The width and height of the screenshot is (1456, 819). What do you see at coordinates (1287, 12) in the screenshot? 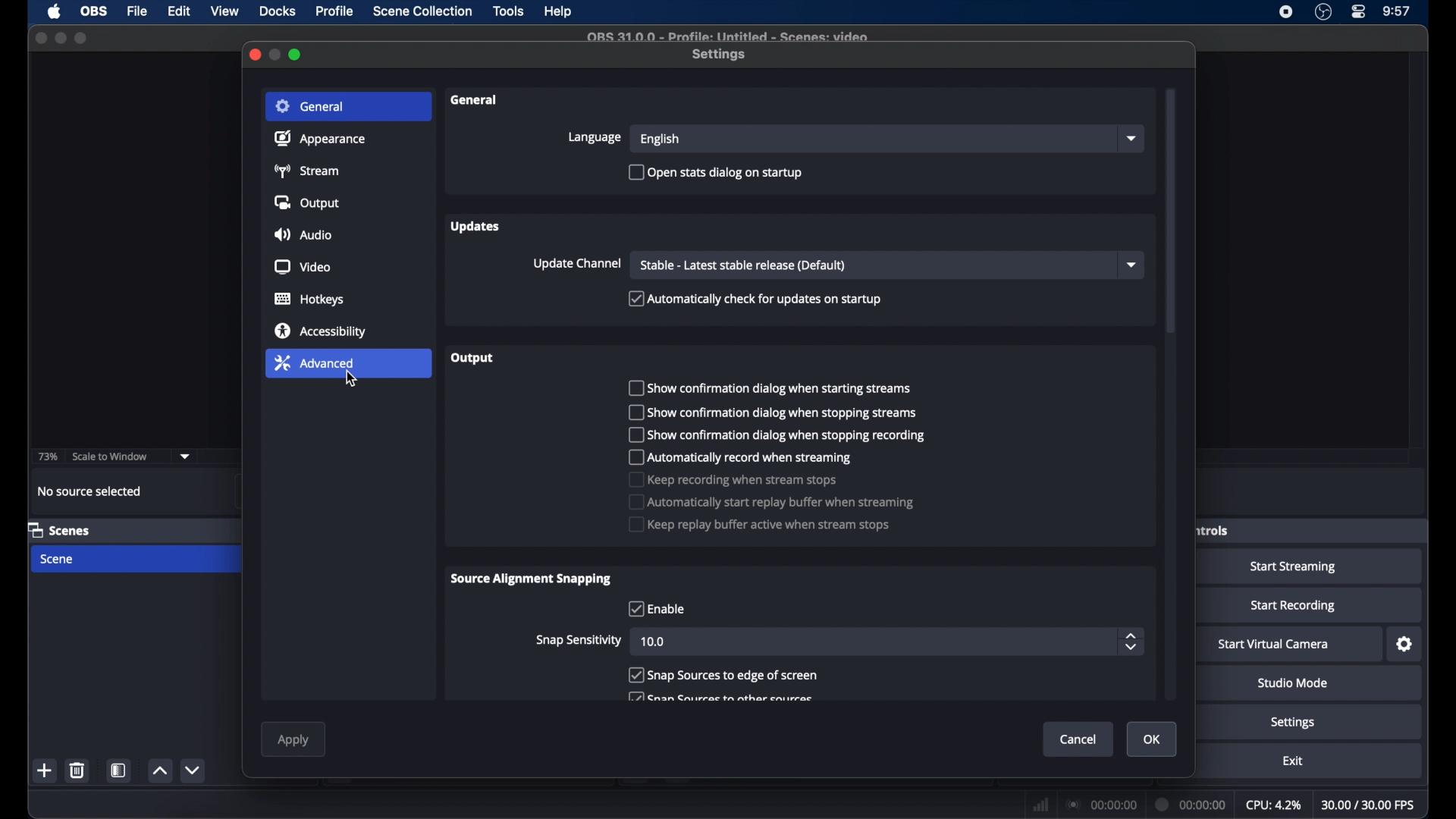
I see `screen recorder icon` at bounding box center [1287, 12].